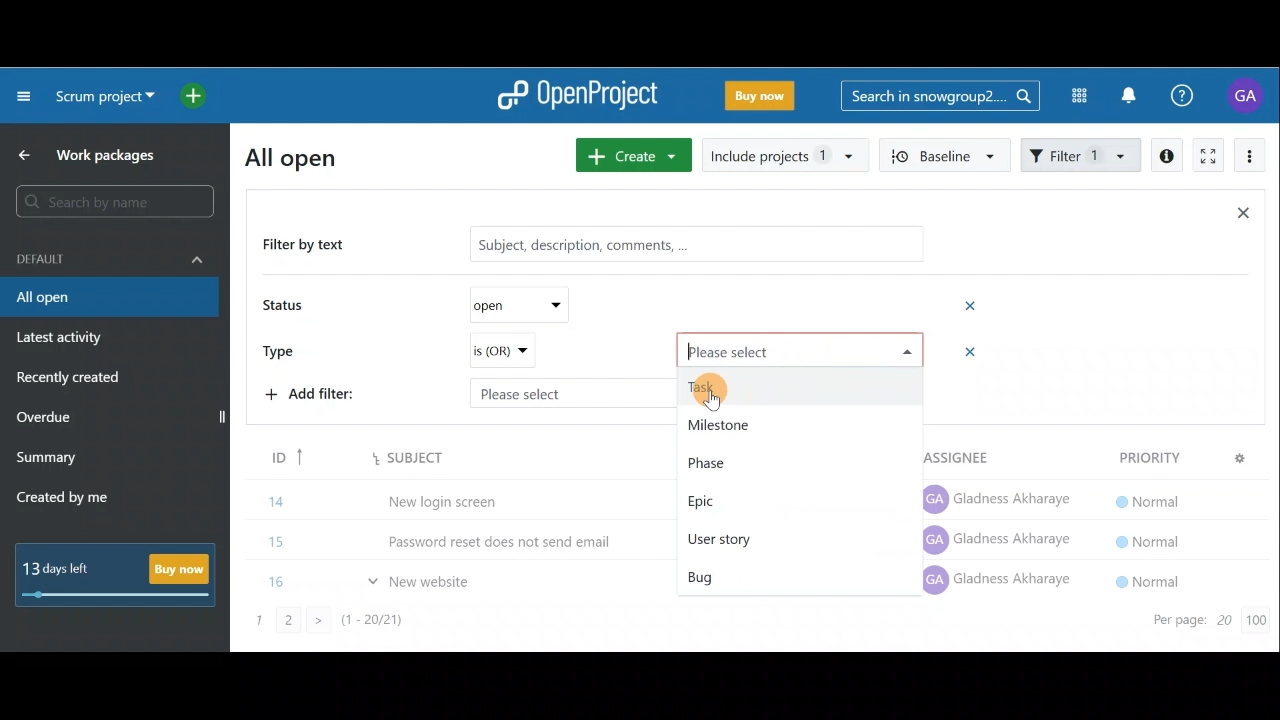 The height and width of the screenshot is (720, 1280). Describe the element at coordinates (1082, 153) in the screenshot. I see `Filter` at that location.